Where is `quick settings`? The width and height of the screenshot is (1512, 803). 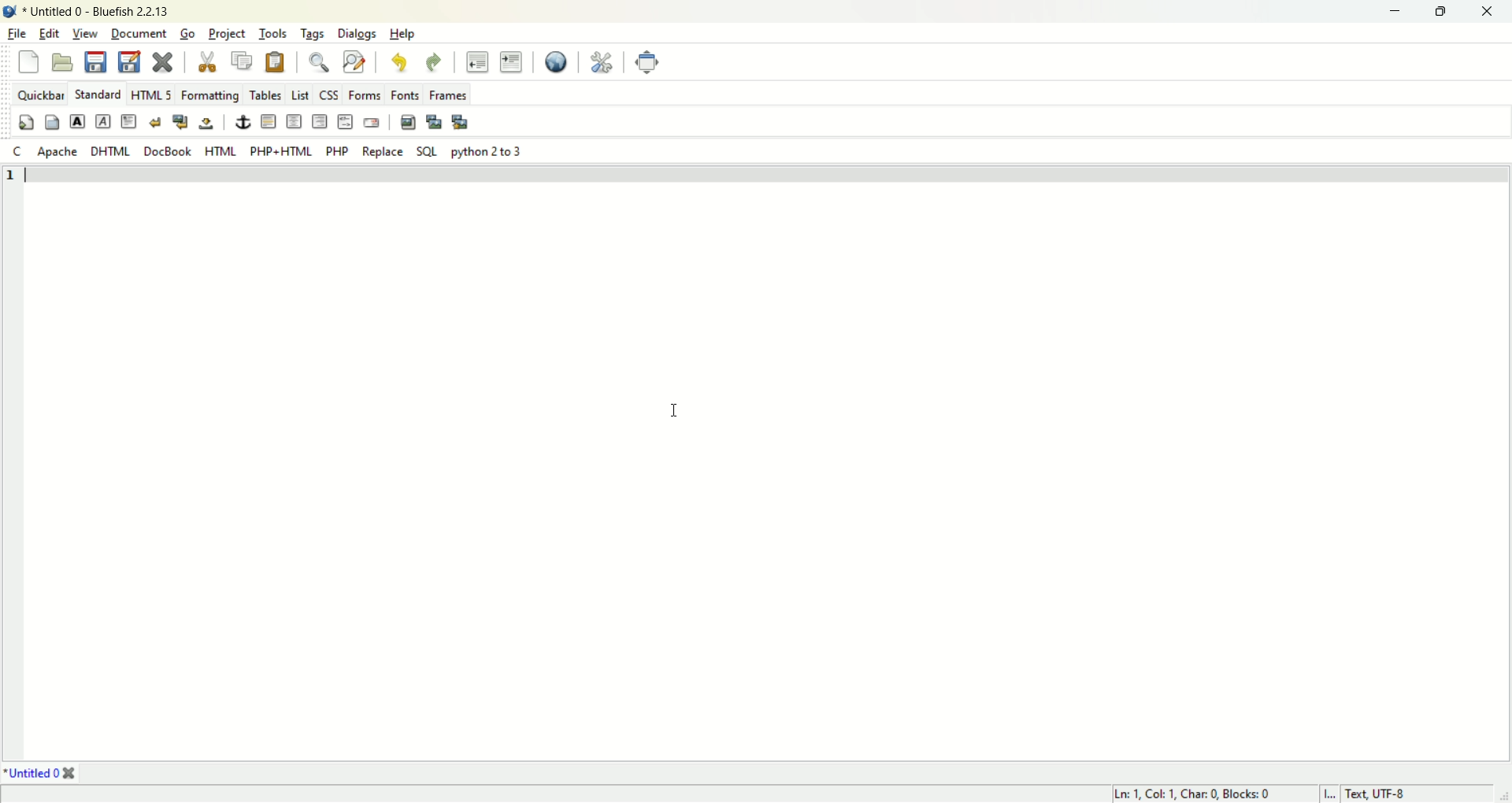 quick settings is located at coordinates (27, 123).